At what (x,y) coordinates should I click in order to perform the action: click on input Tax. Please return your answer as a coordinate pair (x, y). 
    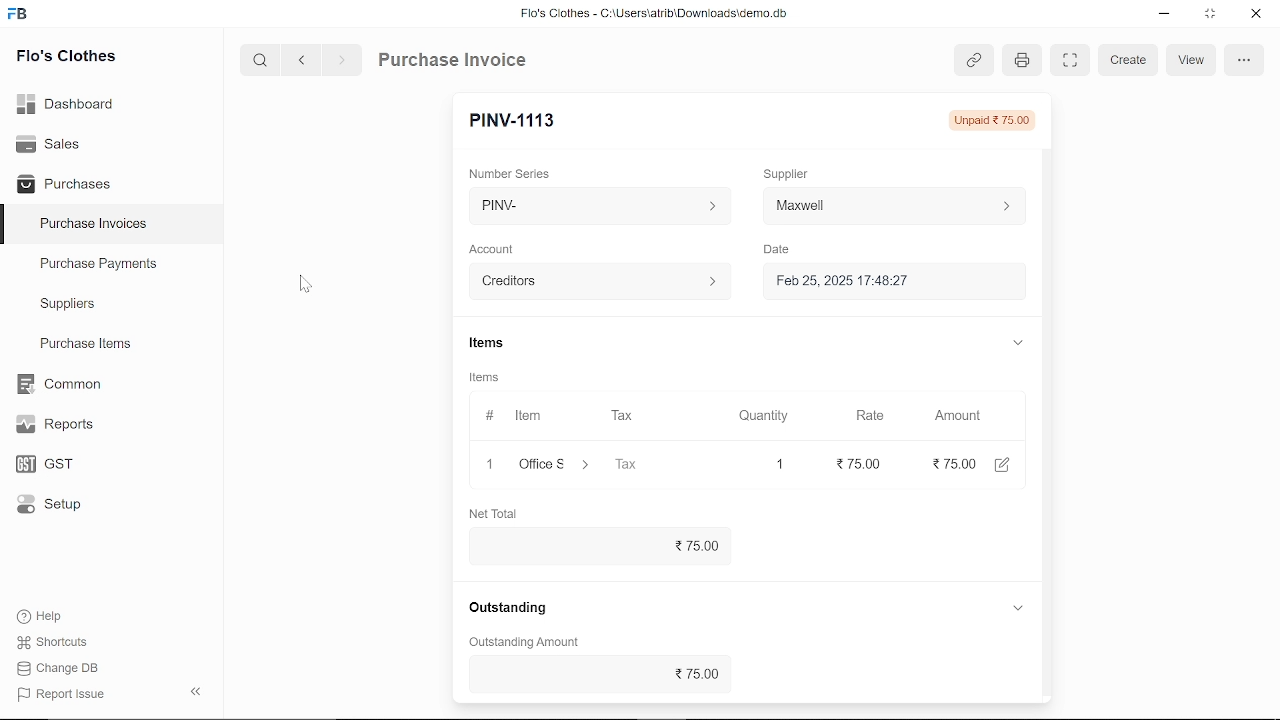
    Looking at the image, I should click on (654, 464).